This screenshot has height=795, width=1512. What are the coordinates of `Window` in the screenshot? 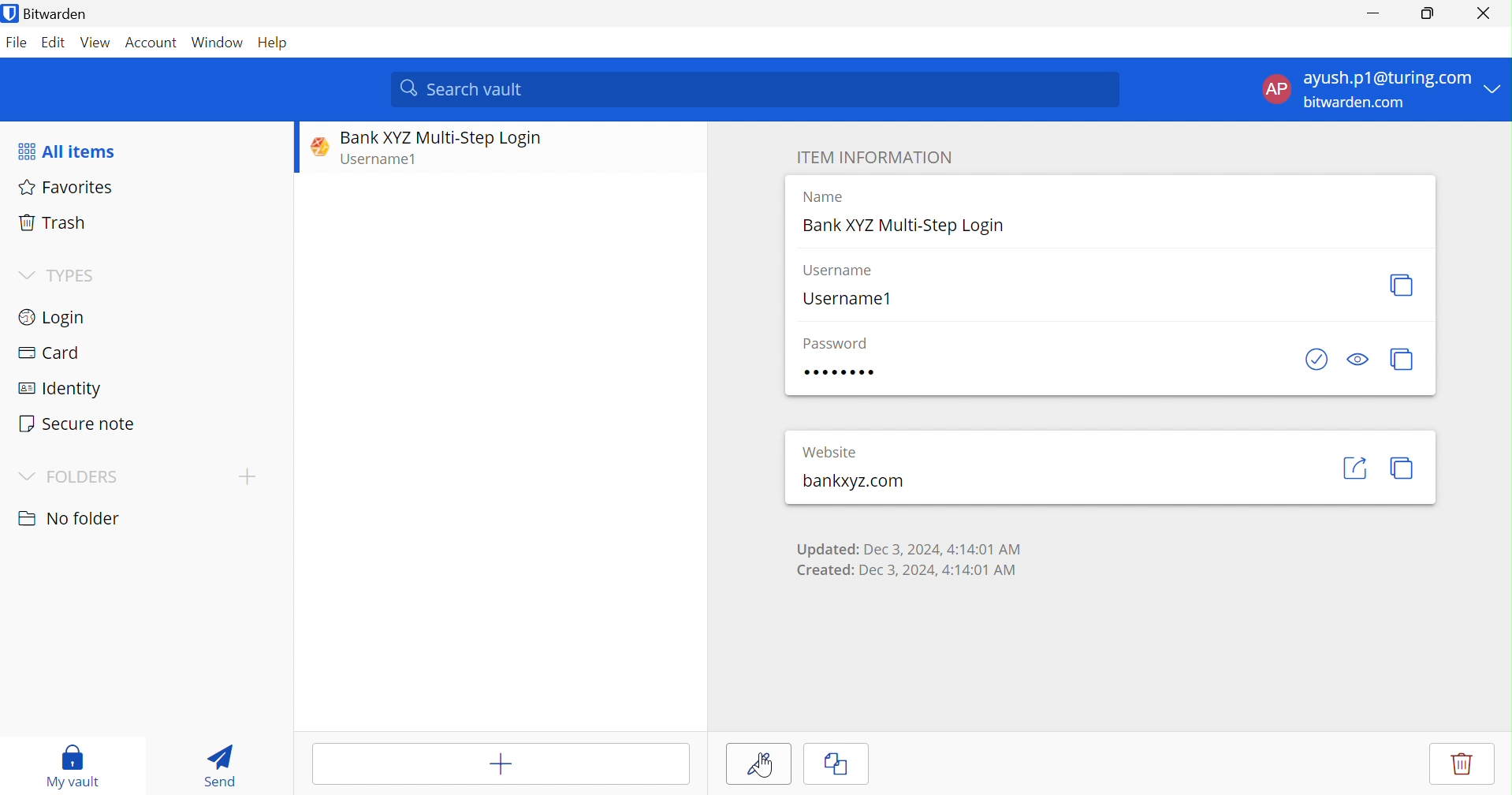 It's located at (218, 44).